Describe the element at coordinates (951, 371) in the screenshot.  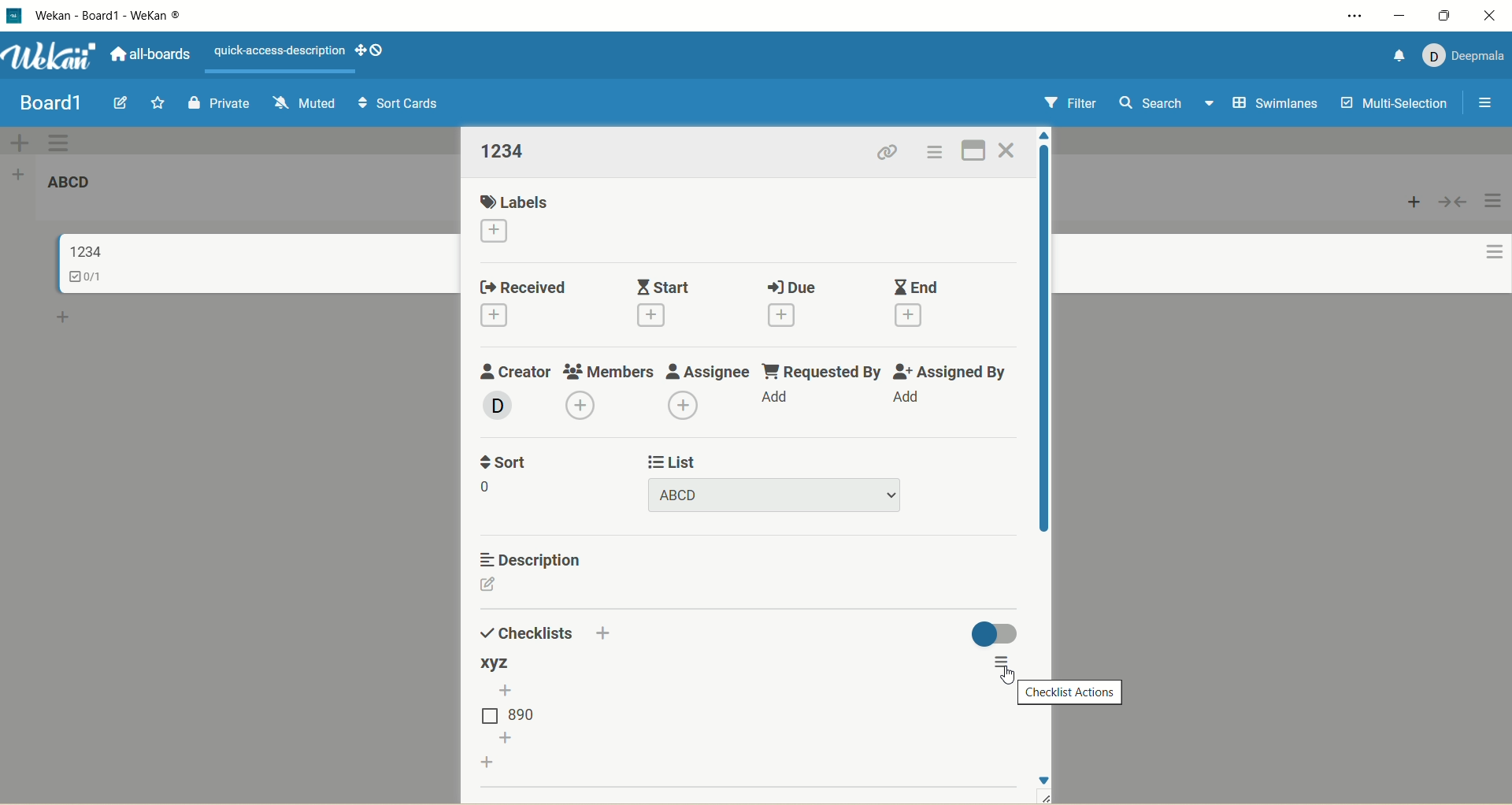
I see `assigned by` at that location.